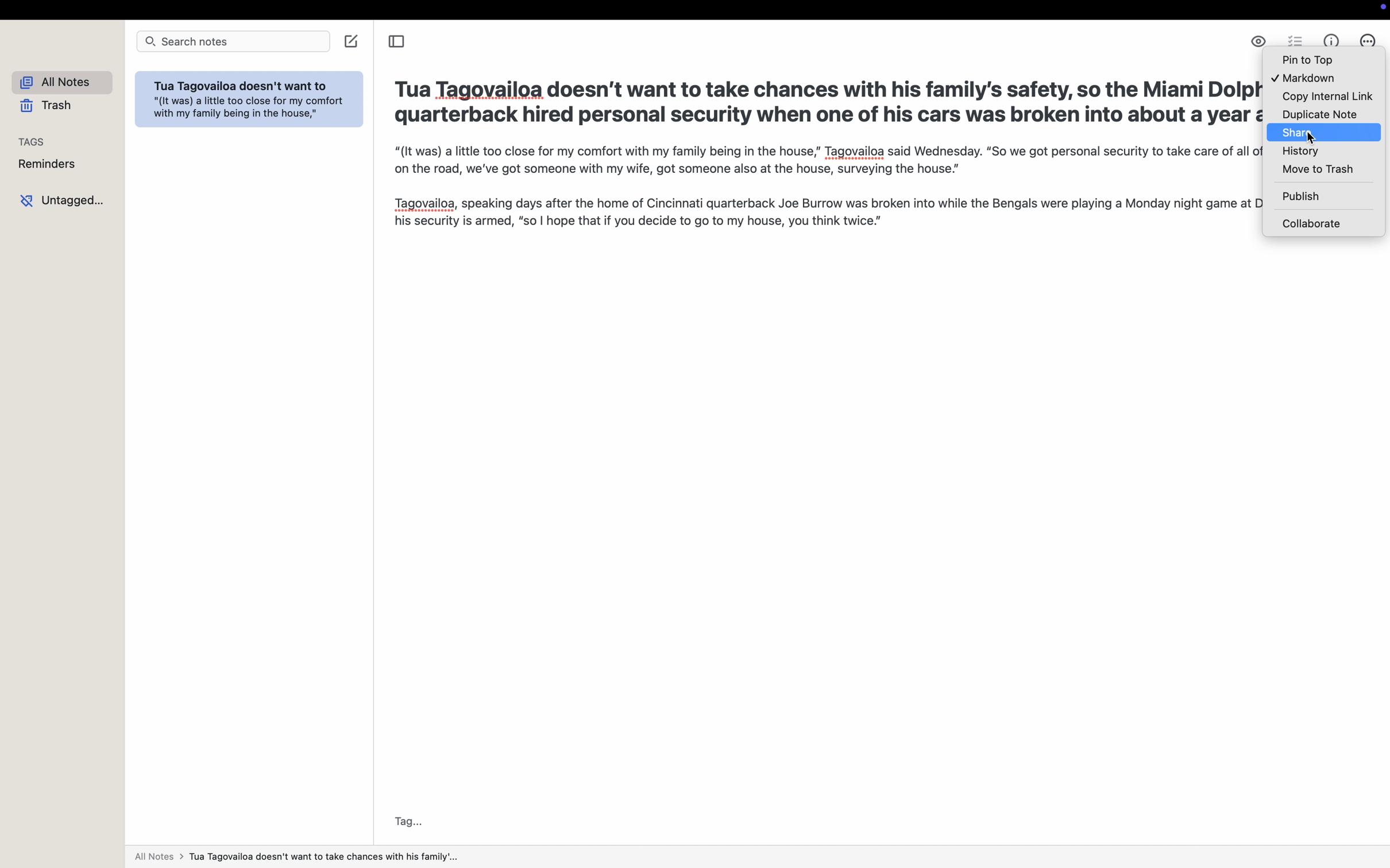 This screenshot has height=868, width=1390. I want to click on click on more options, so click(1372, 38).